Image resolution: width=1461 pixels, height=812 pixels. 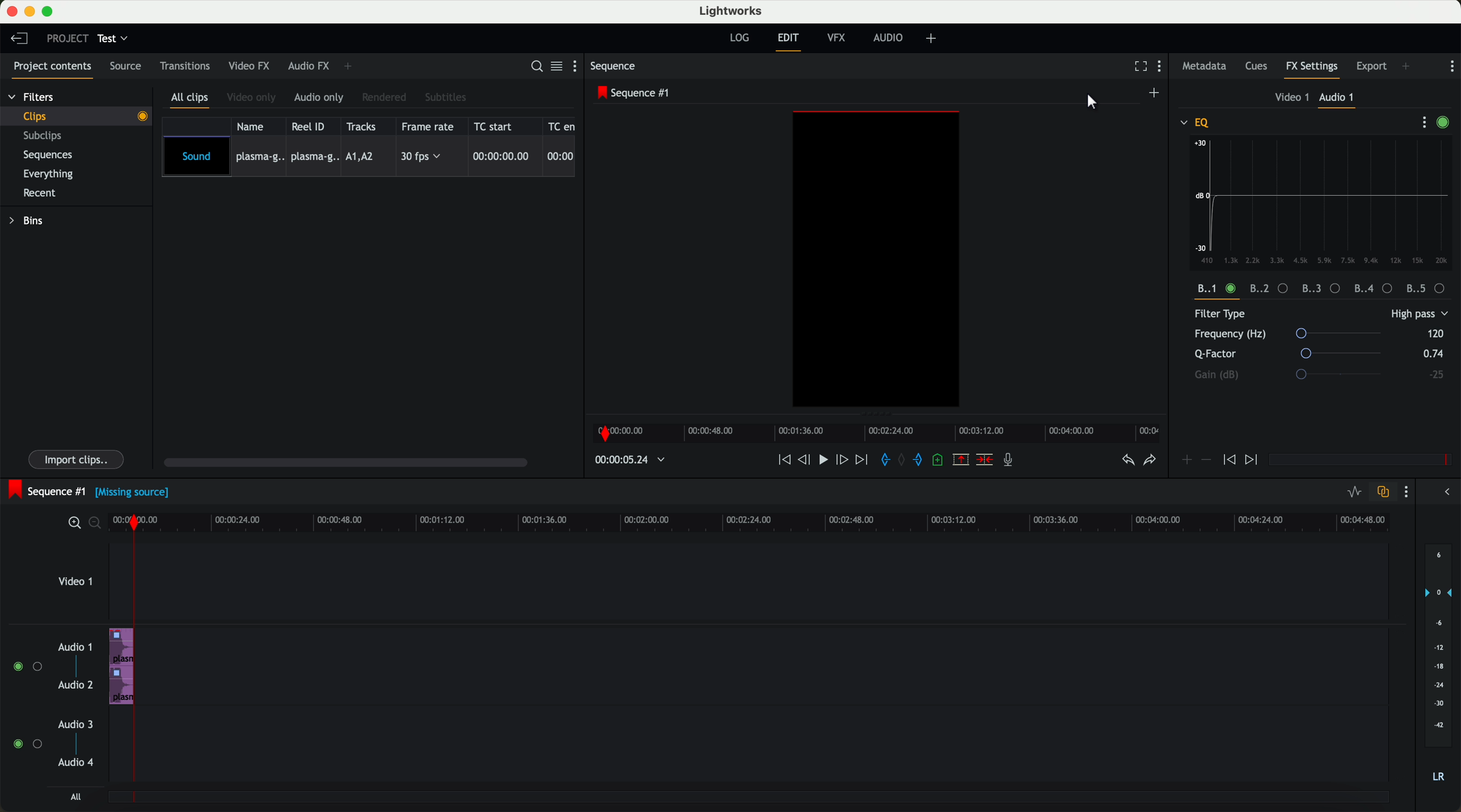 I want to click on leave, so click(x=22, y=41).